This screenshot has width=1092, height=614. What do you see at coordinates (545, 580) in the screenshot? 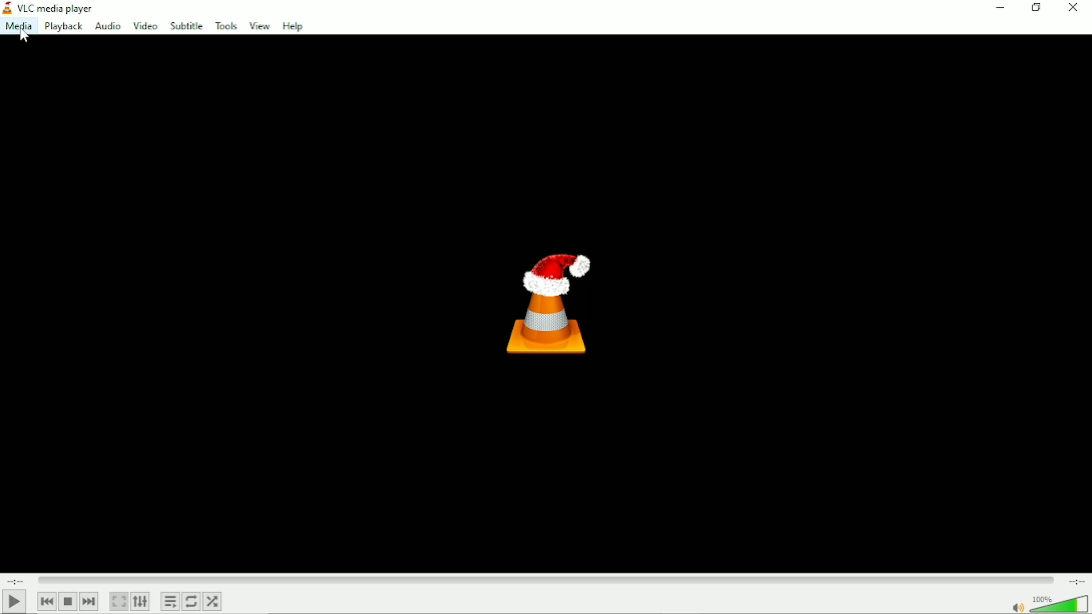
I see `Play duration` at bounding box center [545, 580].